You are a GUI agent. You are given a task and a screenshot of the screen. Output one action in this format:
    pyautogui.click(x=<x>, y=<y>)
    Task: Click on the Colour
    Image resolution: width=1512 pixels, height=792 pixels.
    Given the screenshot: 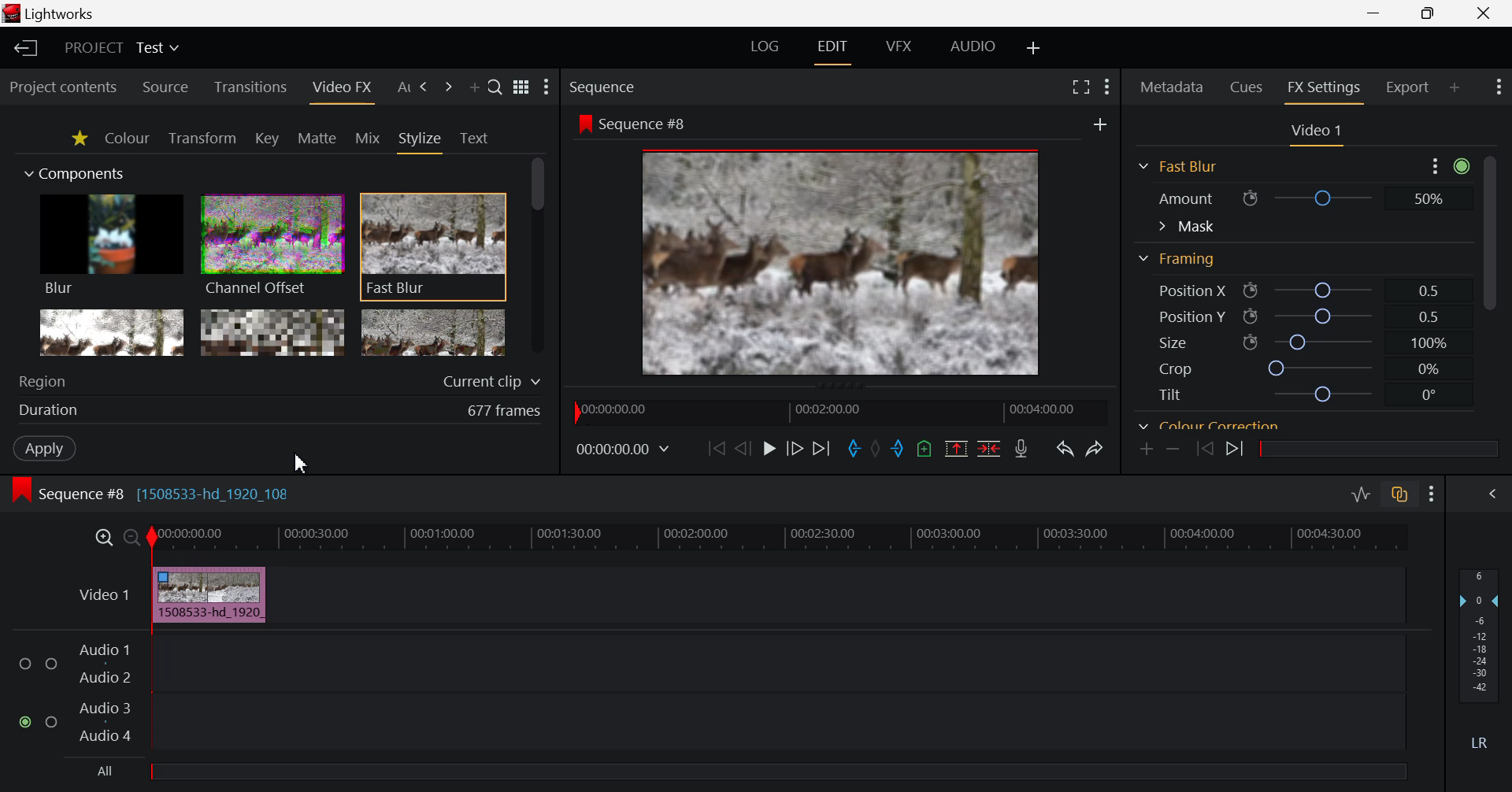 What is the action you would take?
    pyautogui.click(x=128, y=139)
    